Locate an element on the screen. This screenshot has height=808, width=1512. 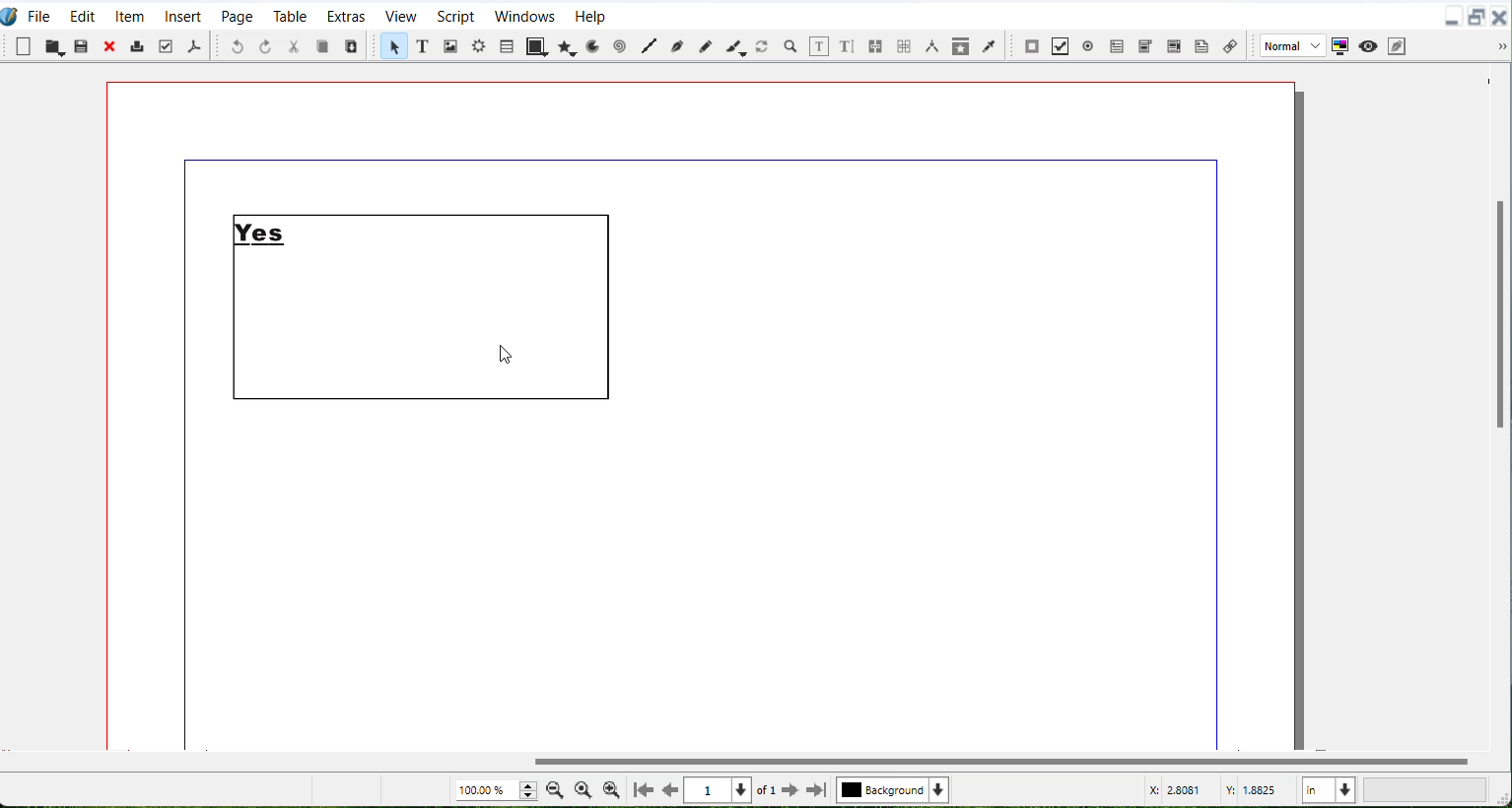
Close is located at coordinates (1502, 15).